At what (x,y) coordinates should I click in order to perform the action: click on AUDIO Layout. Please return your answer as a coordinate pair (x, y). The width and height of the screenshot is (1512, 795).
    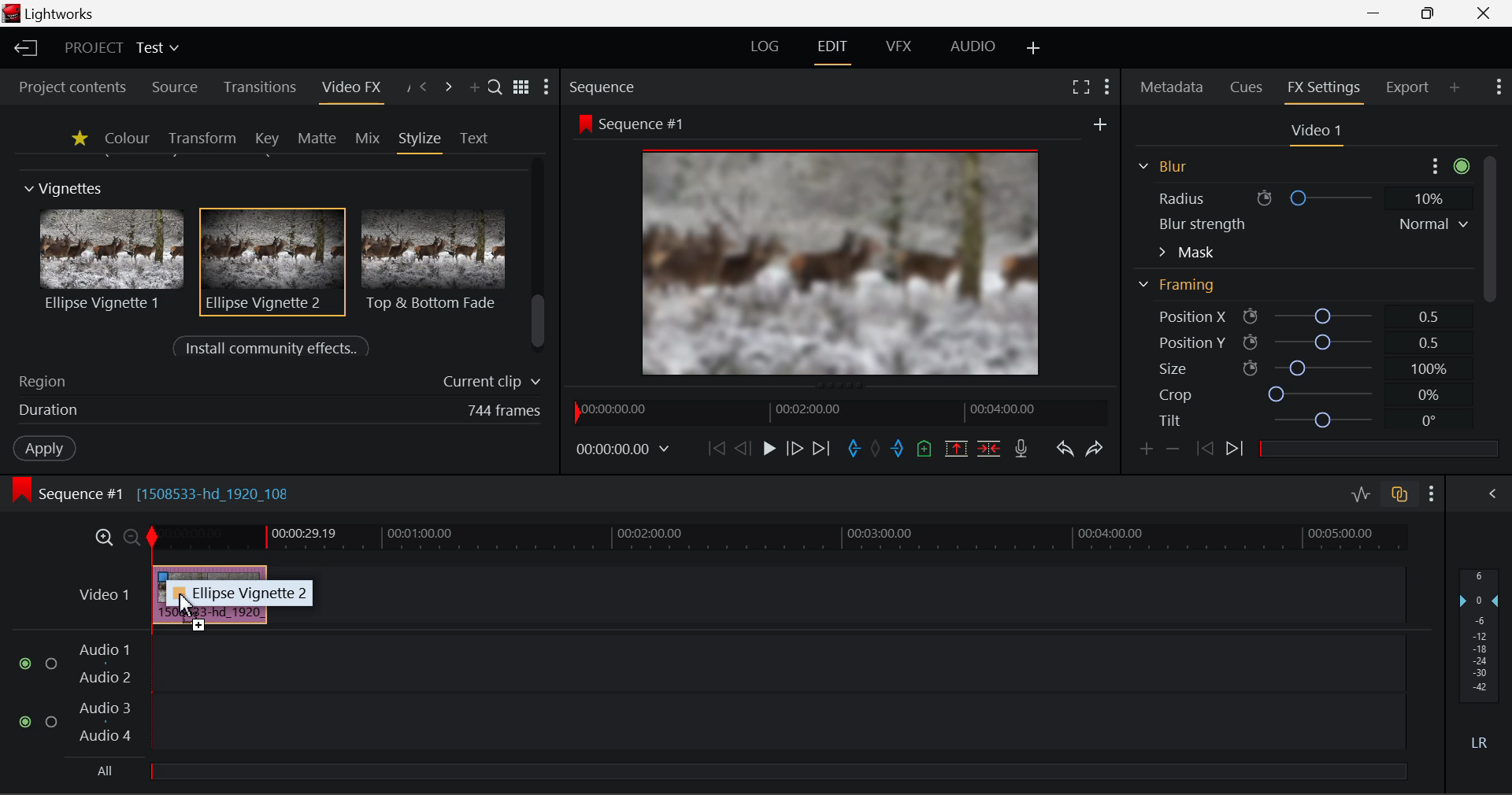
    Looking at the image, I should click on (972, 47).